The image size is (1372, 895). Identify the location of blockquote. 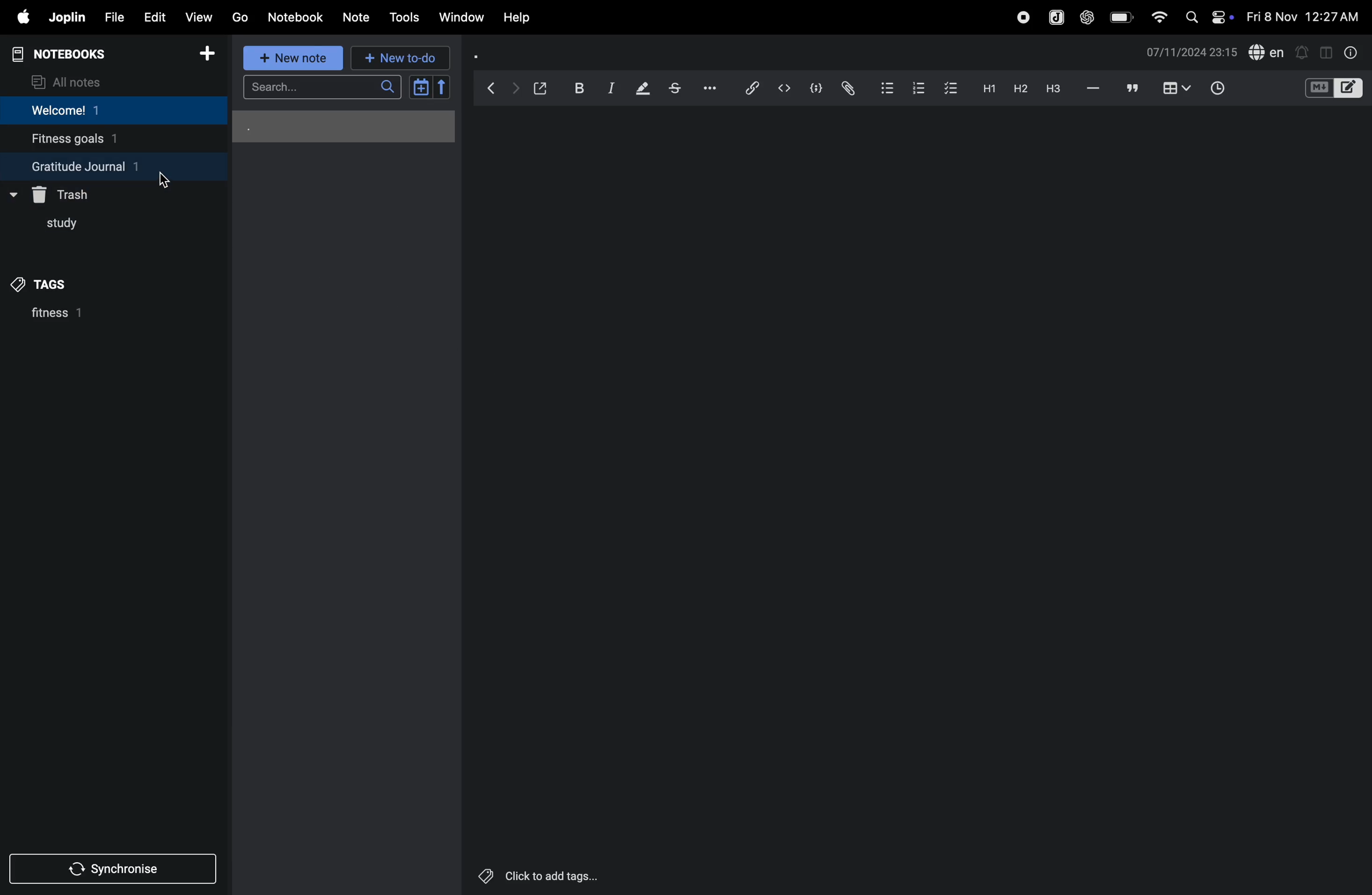
(1133, 88).